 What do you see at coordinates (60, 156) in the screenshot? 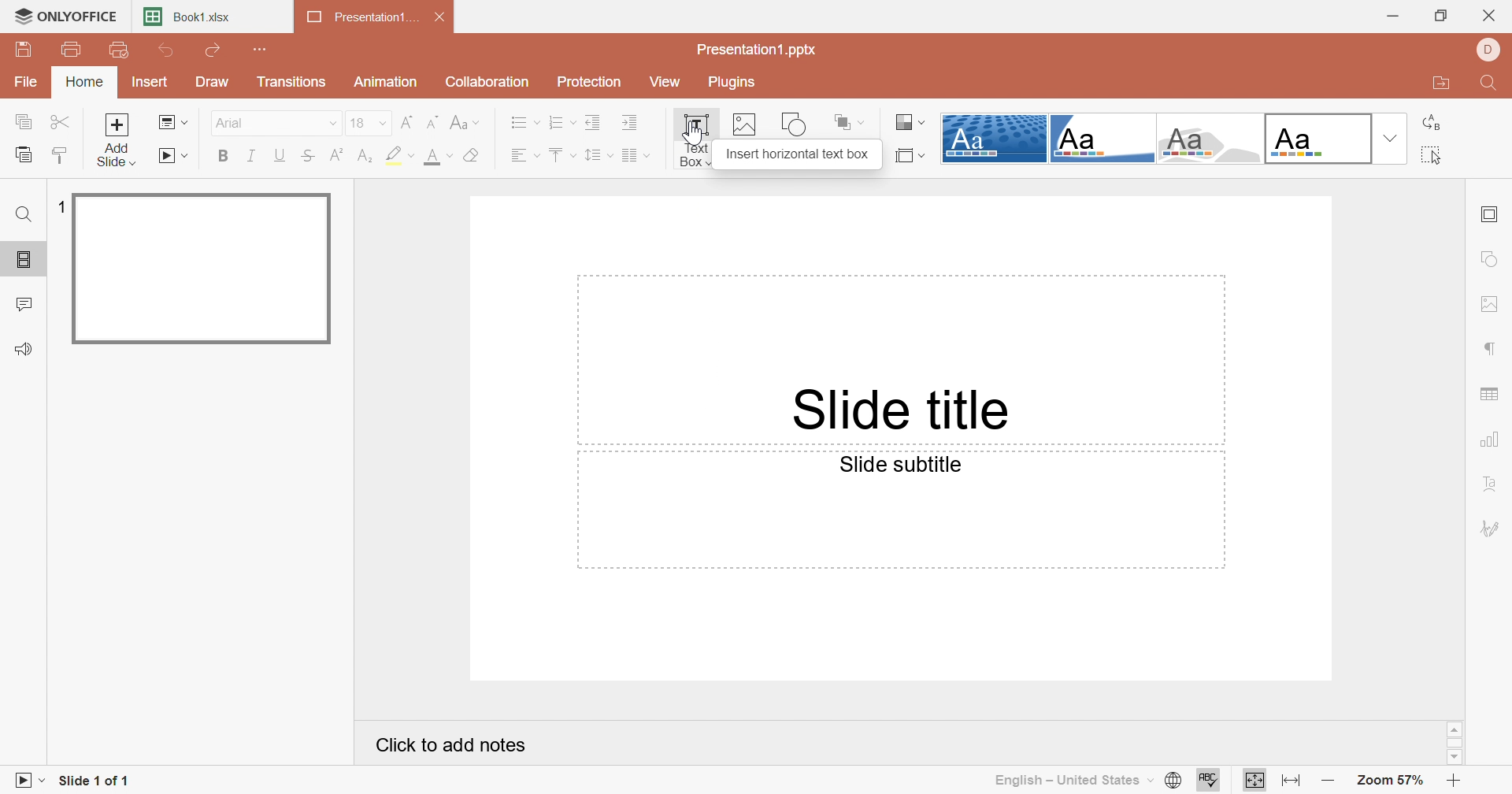
I see `Copy style` at bounding box center [60, 156].